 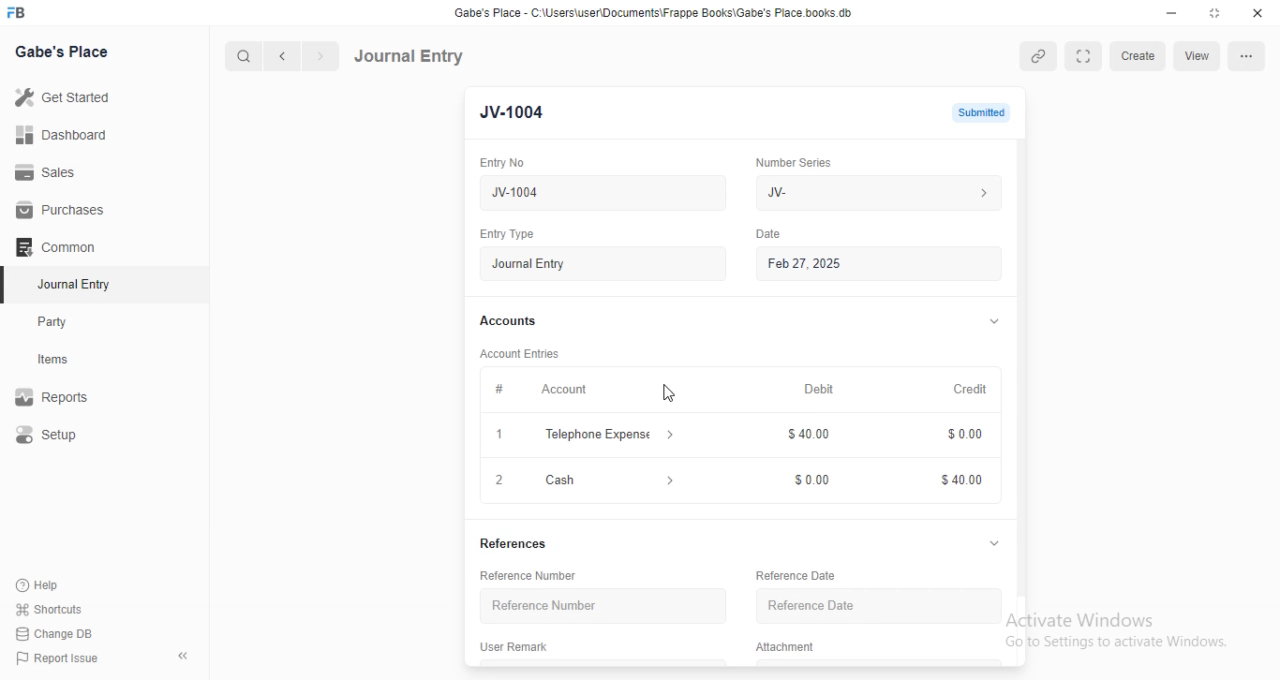 I want to click on Telephone Expense, so click(x=611, y=433).